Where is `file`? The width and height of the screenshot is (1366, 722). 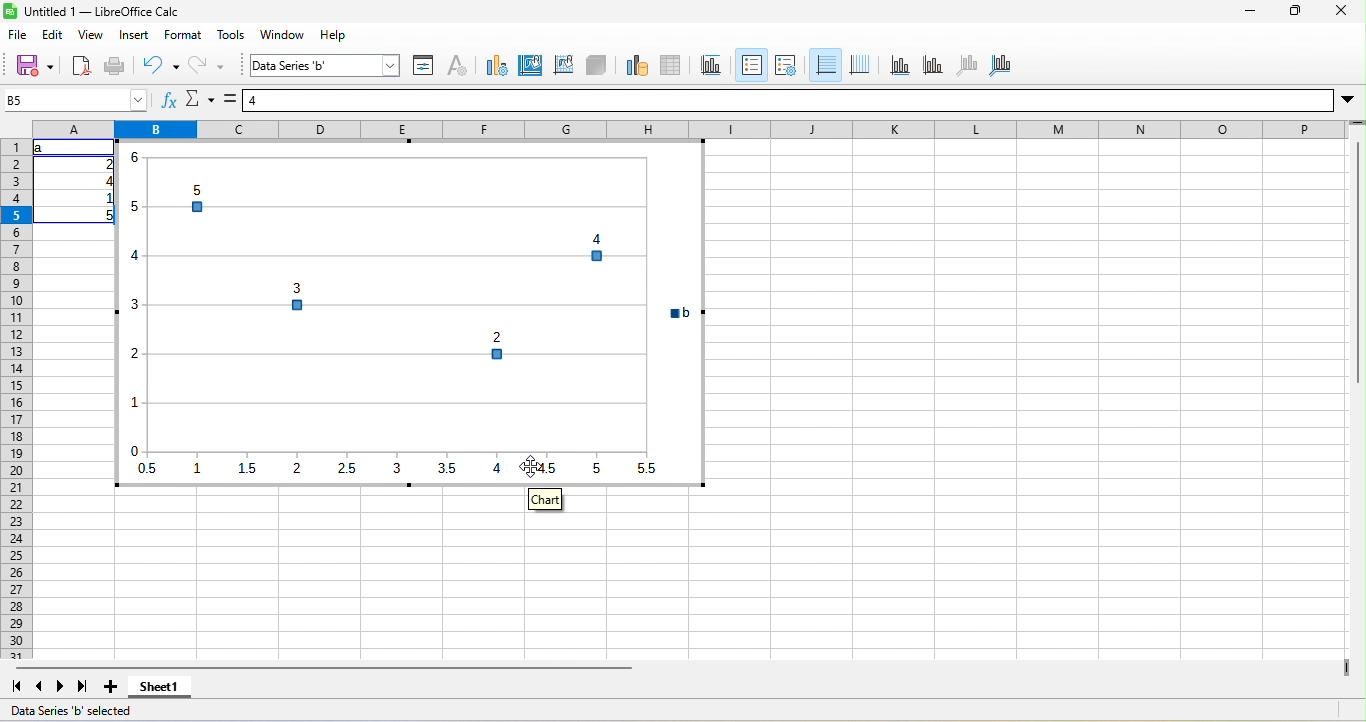 file is located at coordinates (18, 35).